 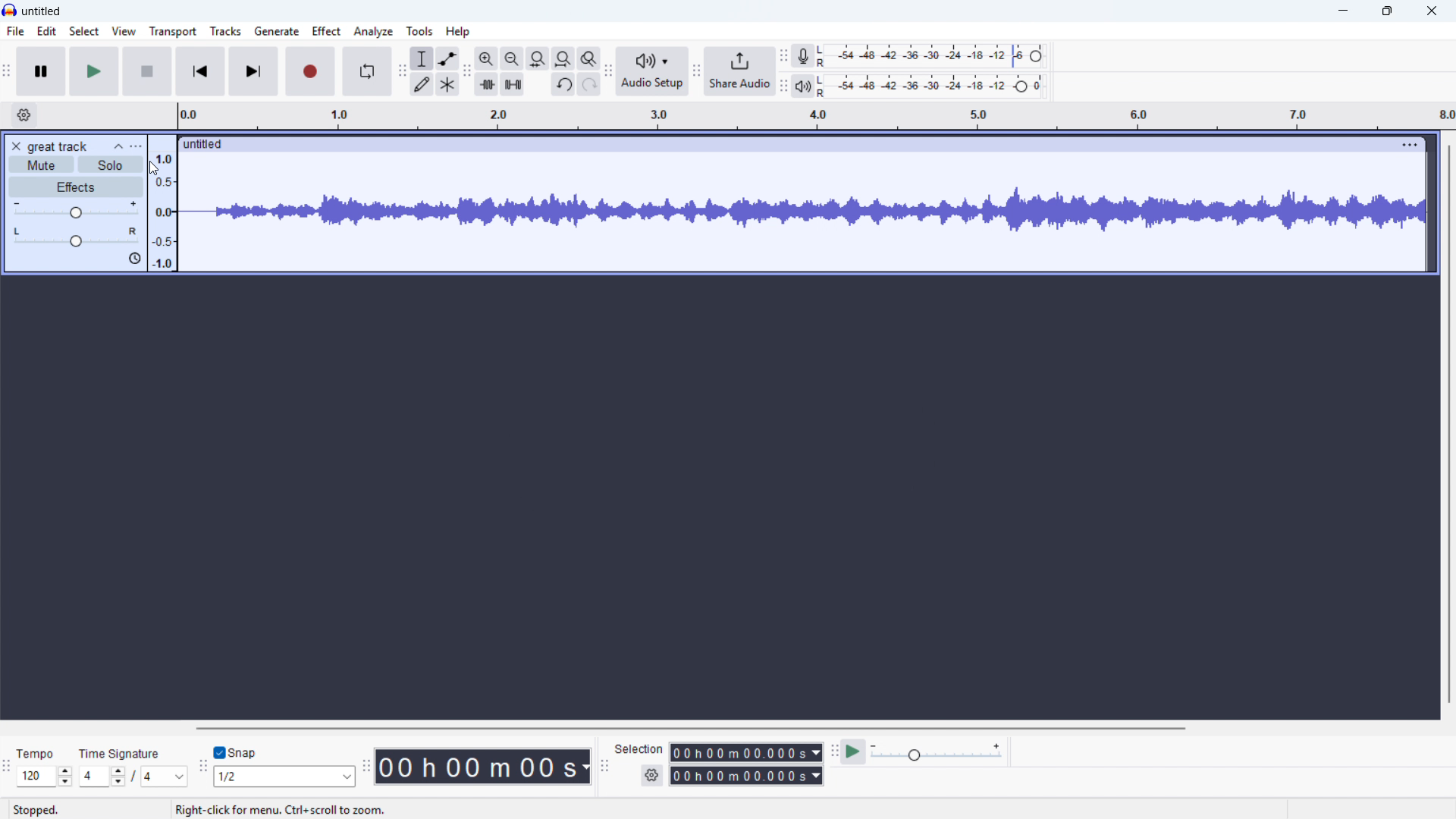 I want to click on Close, so click(x=1432, y=12).